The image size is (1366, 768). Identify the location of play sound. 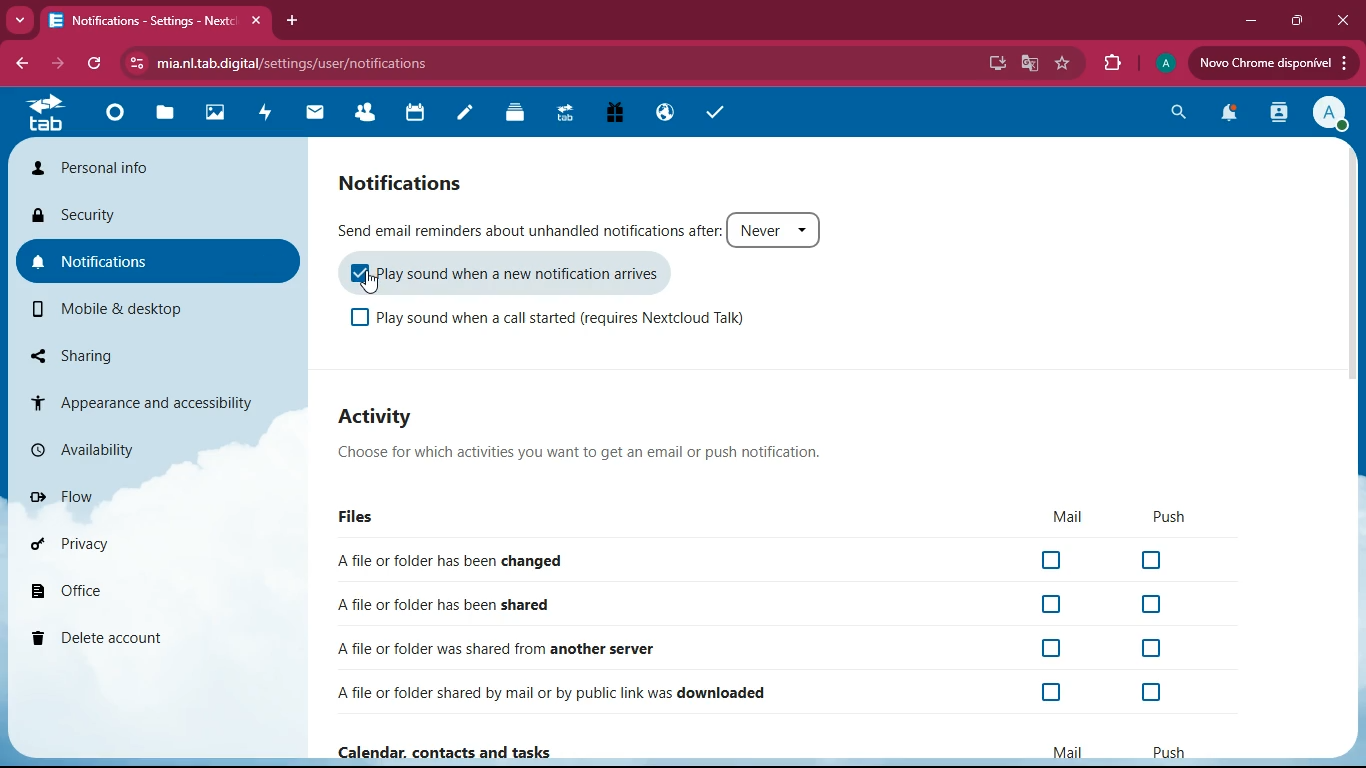
(582, 323).